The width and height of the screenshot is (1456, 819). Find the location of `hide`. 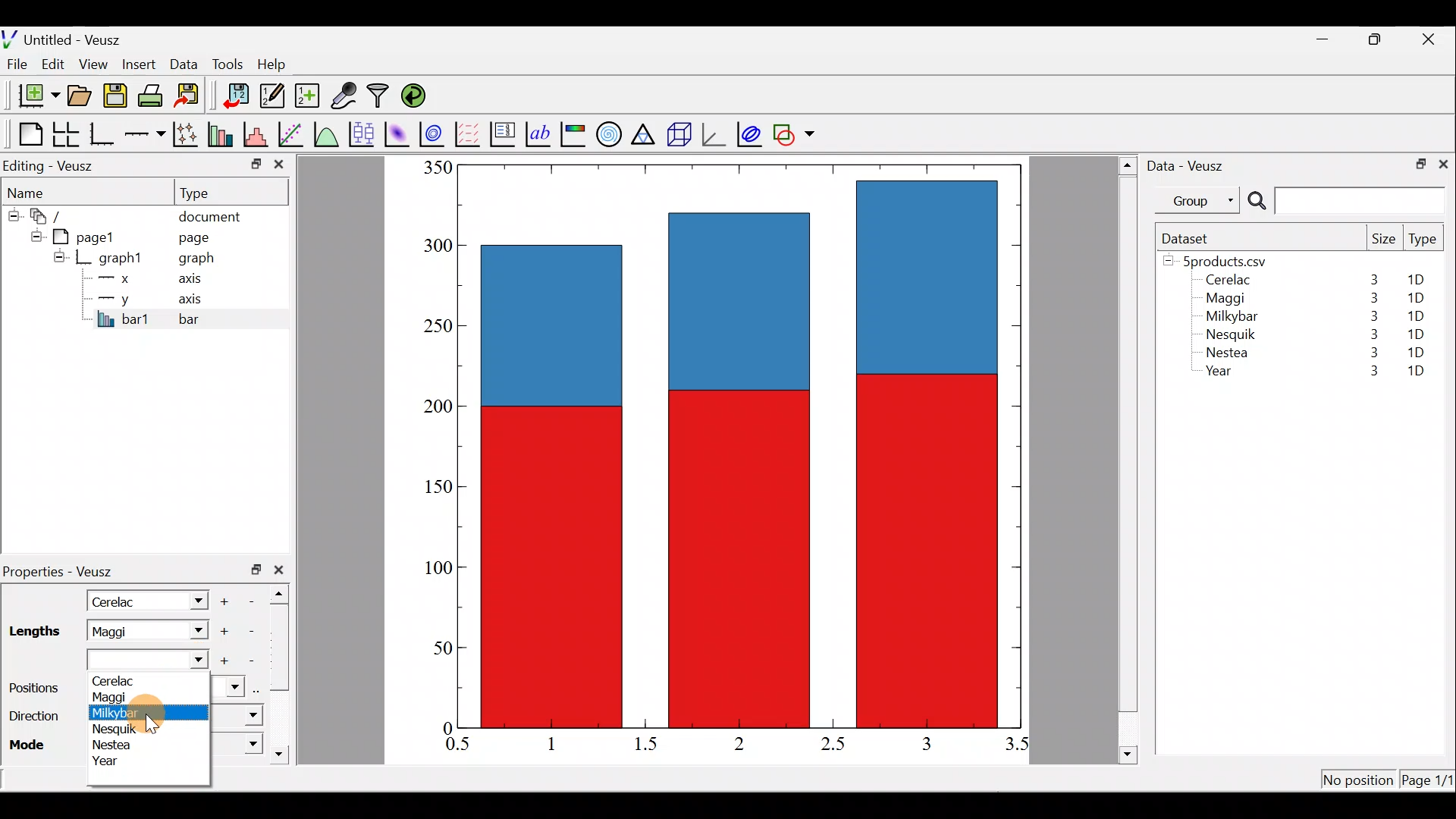

hide is located at coordinates (33, 234).